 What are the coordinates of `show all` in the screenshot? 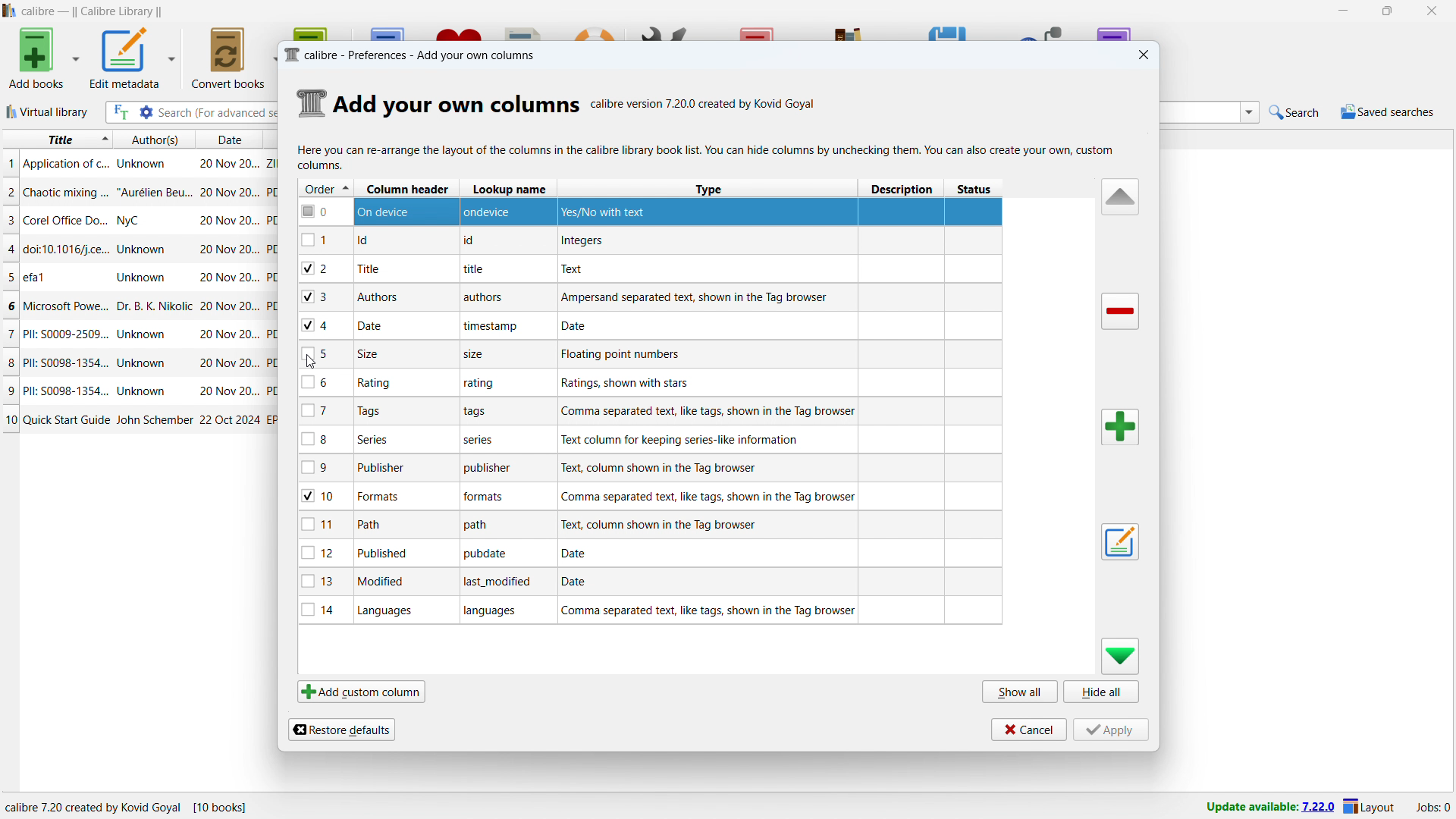 It's located at (1019, 692).